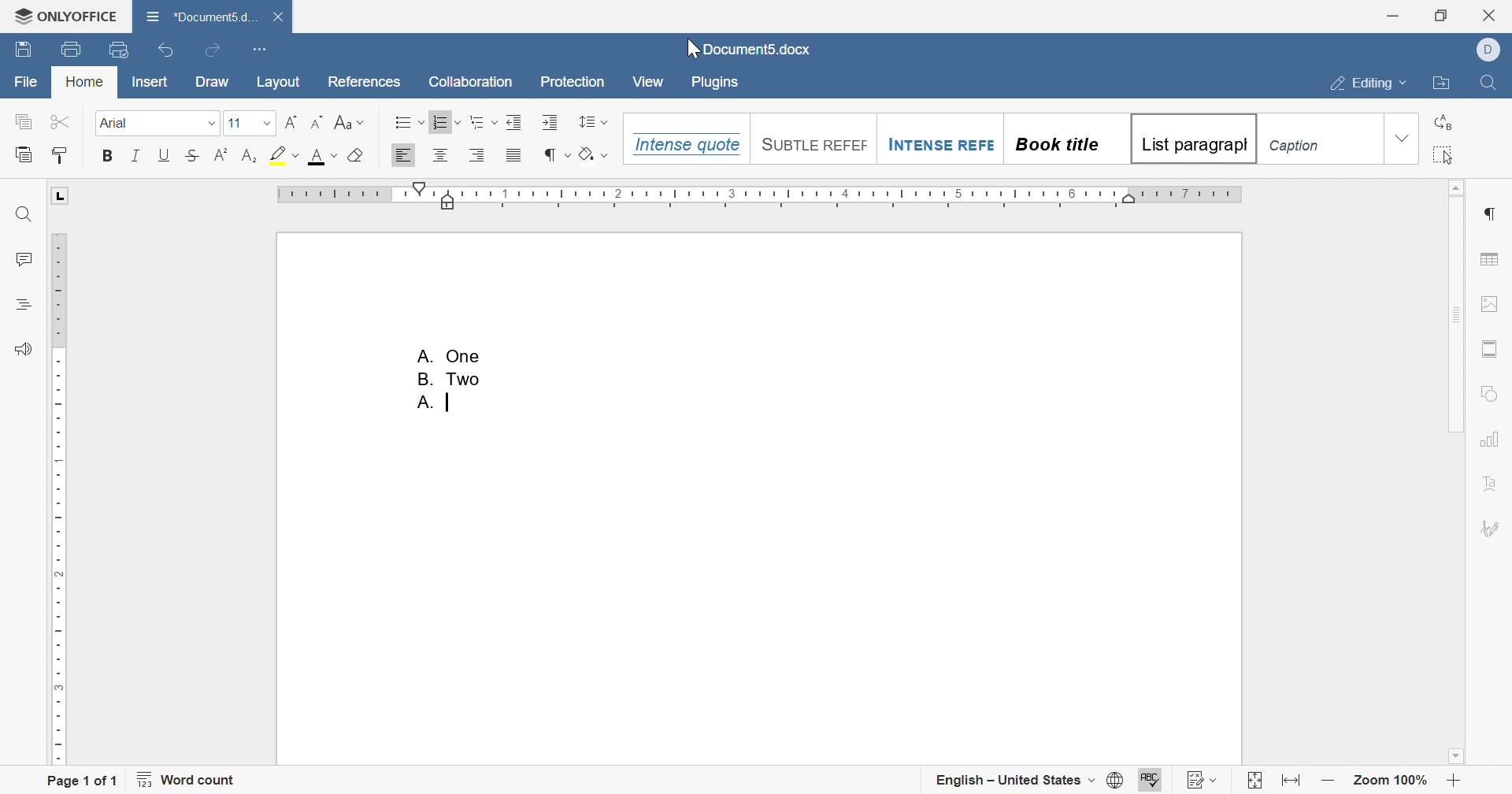  I want to click on comments, so click(24, 257).